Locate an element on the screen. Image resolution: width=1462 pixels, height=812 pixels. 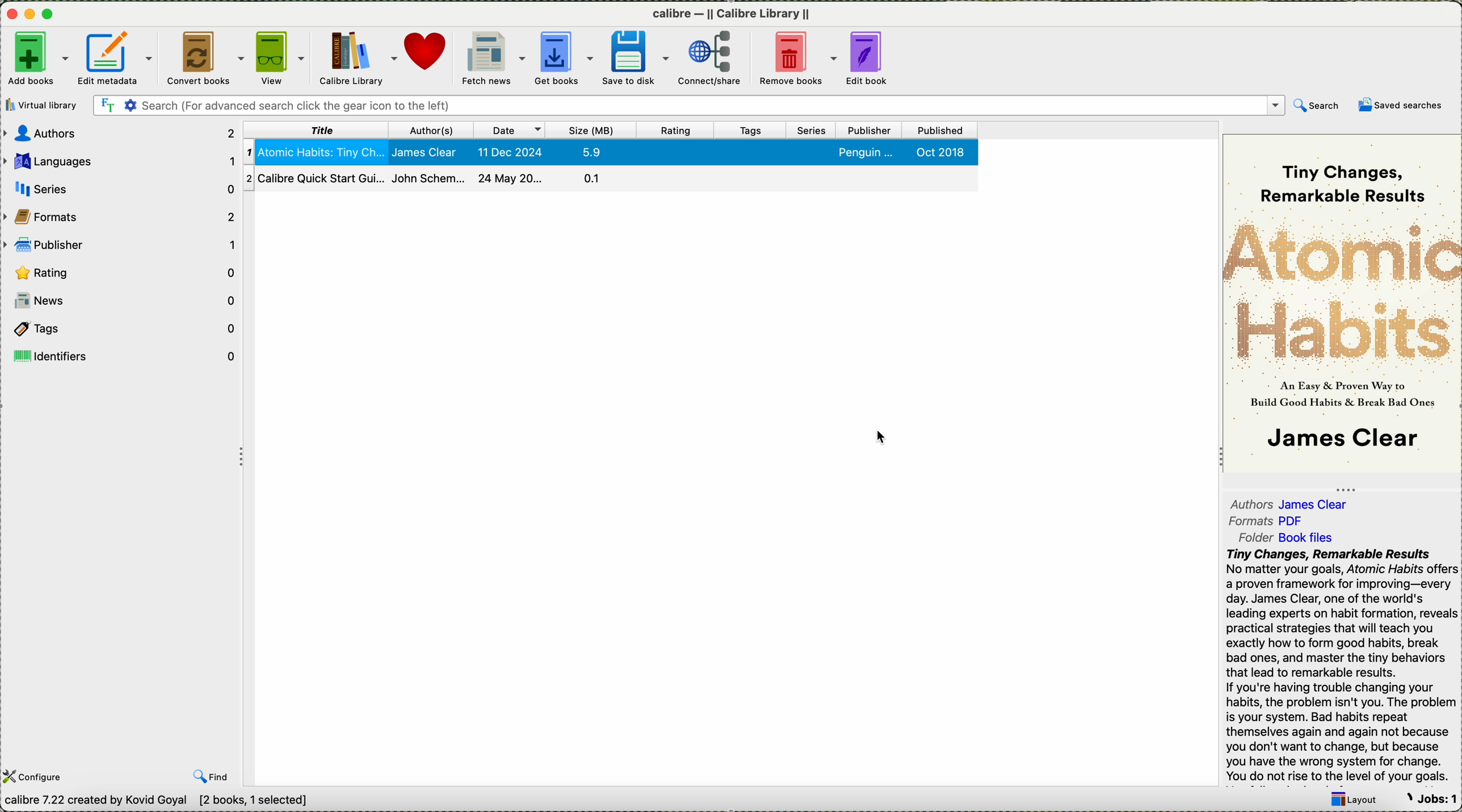
published is located at coordinates (941, 130).